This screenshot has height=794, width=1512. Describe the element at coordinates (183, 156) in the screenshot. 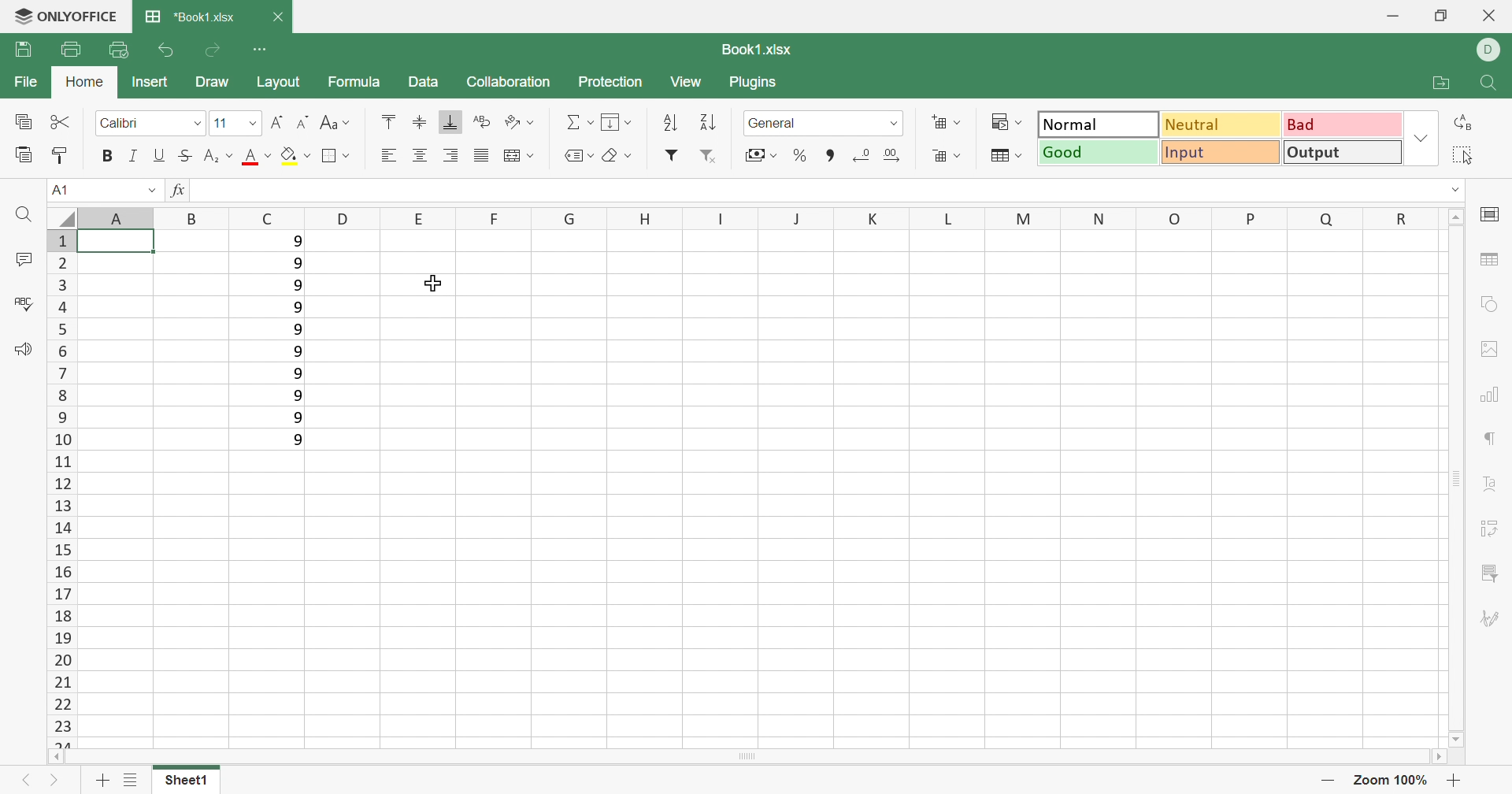

I see `Strikethrough` at that location.